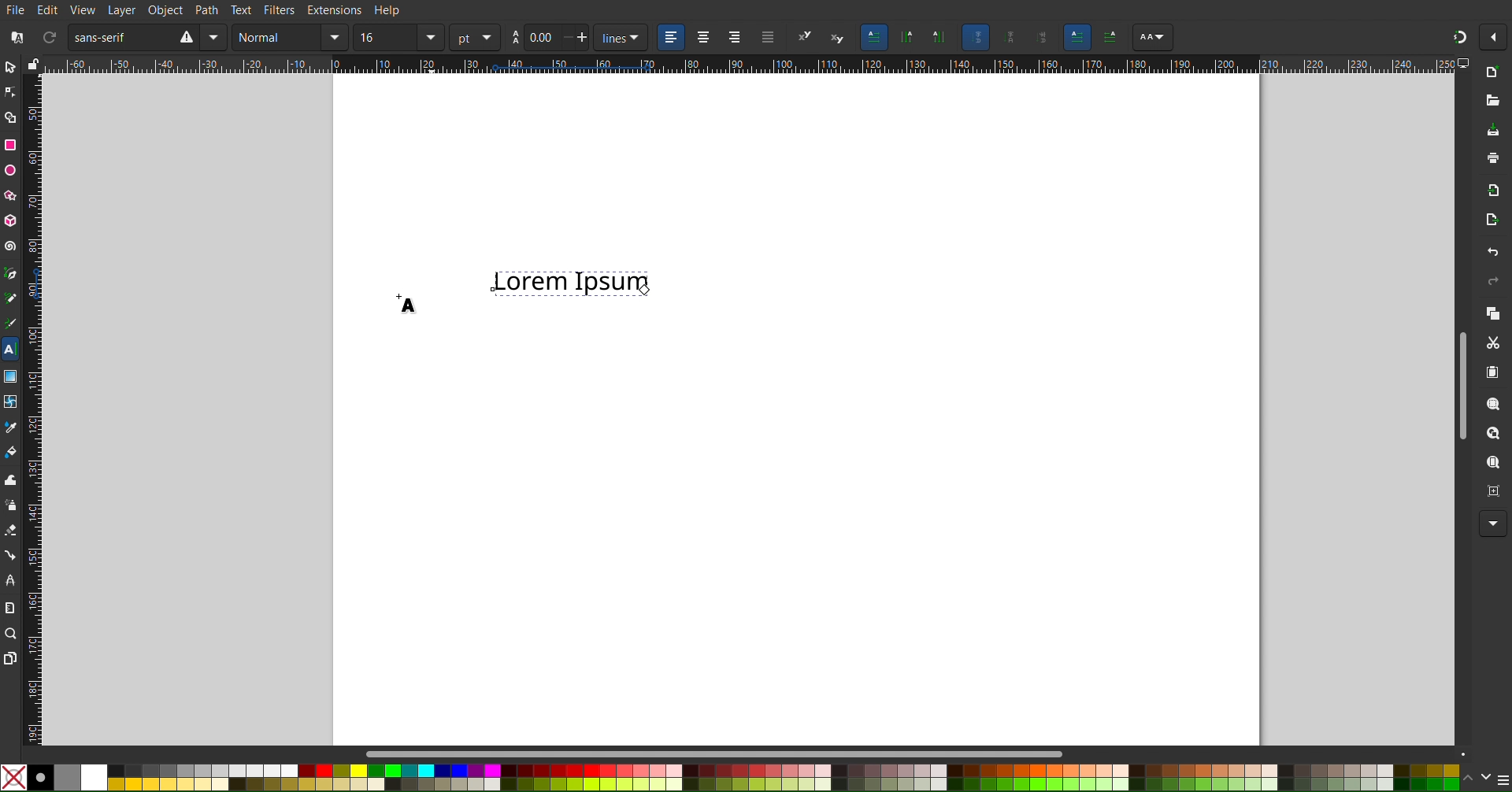  Describe the element at coordinates (11, 298) in the screenshot. I see `Pencil Tool` at that location.